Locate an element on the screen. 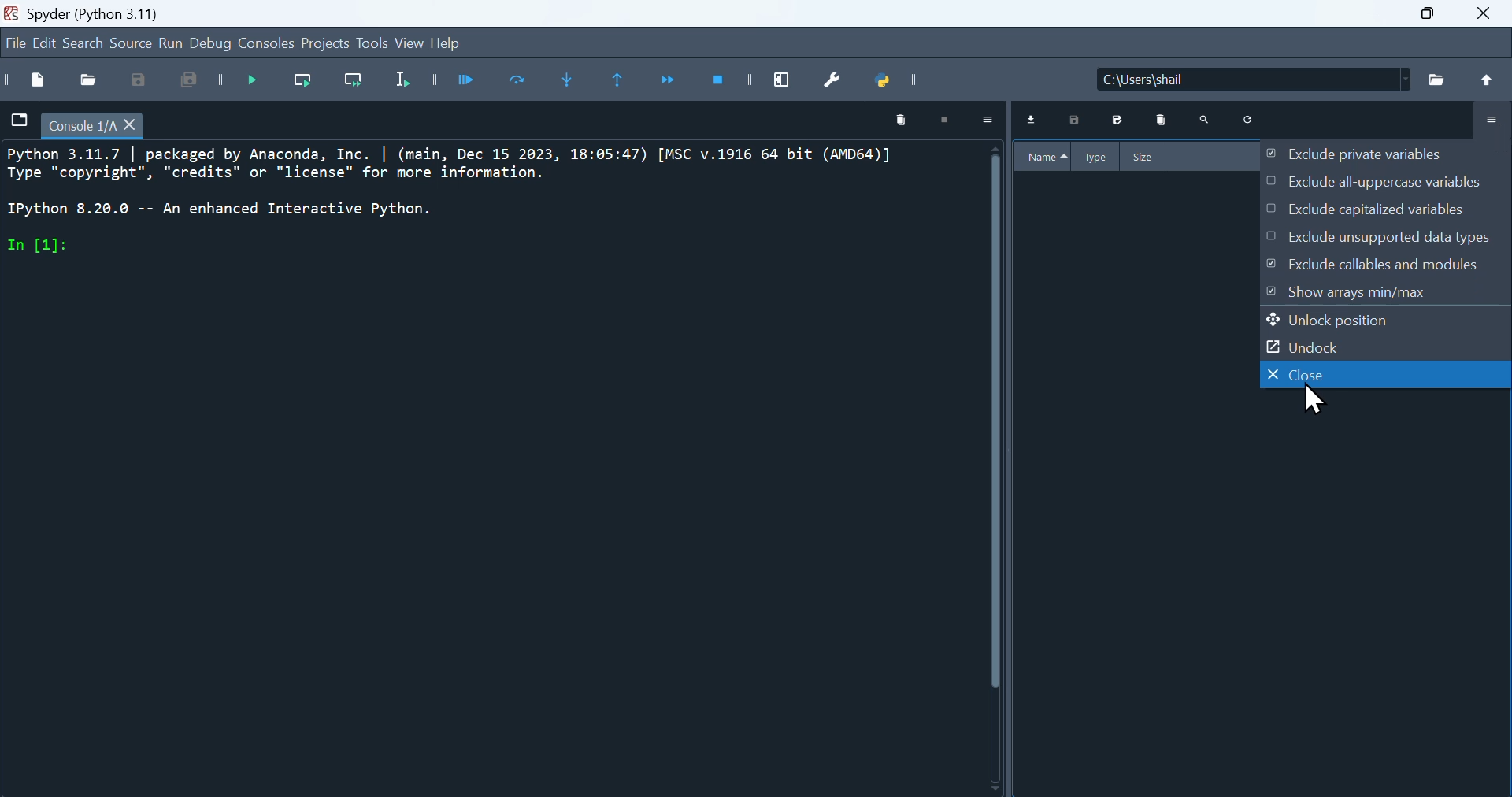 Image resolution: width=1512 pixels, height=797 pixels. Editor panel is located at coordinates (502, 467).